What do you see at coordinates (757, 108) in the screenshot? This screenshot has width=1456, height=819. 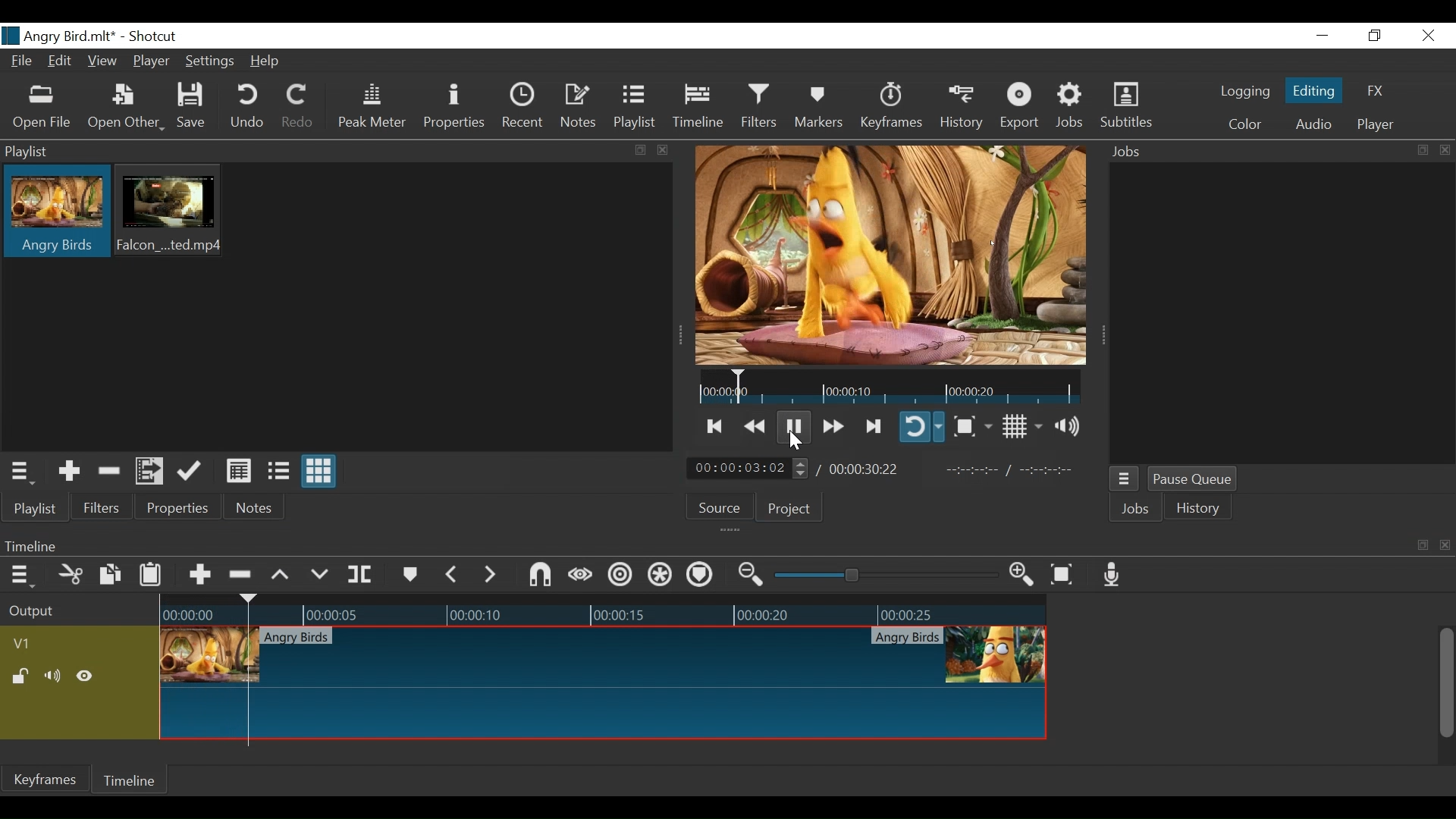 I see `Filters` at bounding box center [757, 108].